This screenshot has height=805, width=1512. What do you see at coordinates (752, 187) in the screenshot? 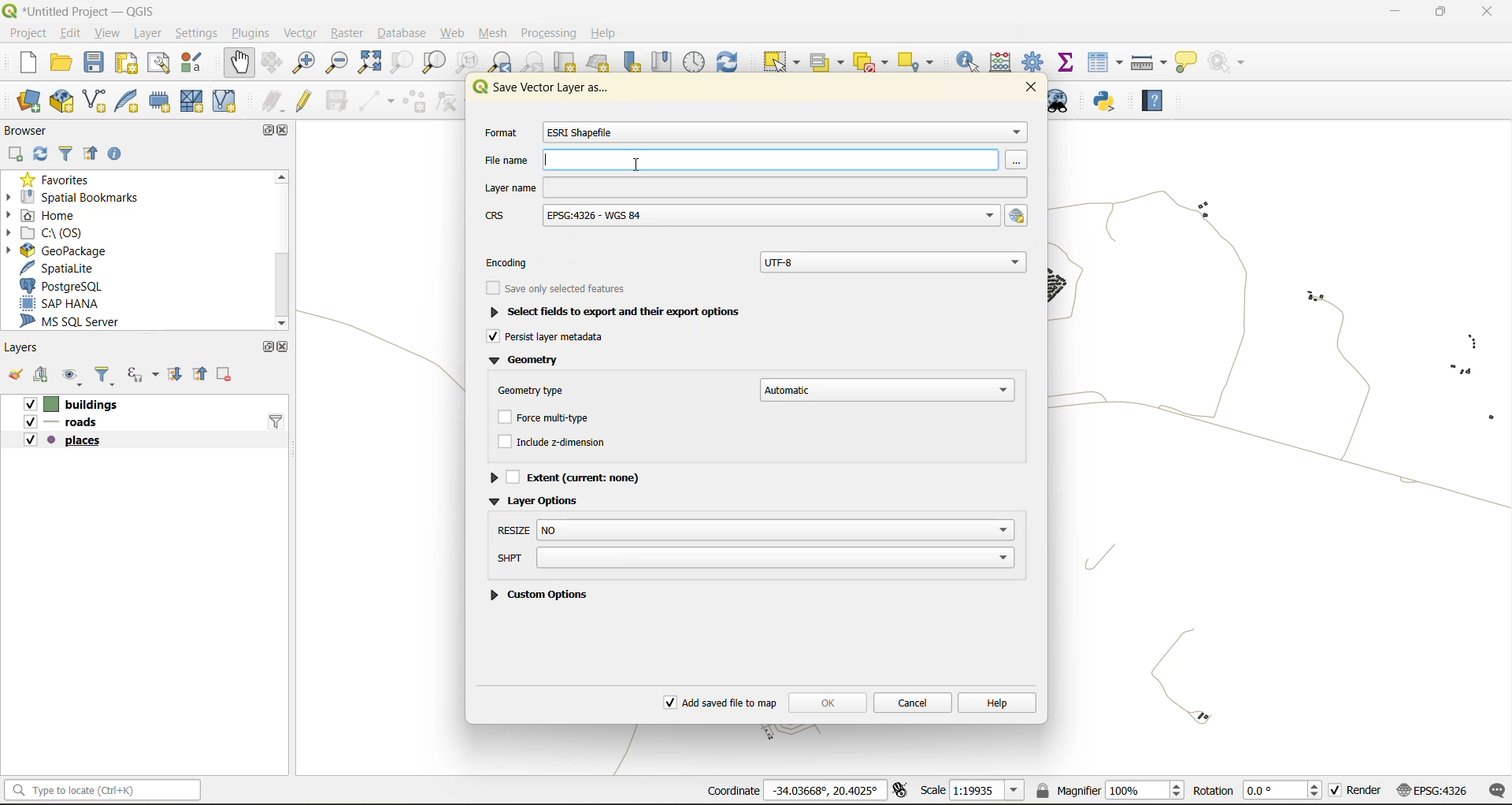
I see `Layer` at bounding box center [752, 187].